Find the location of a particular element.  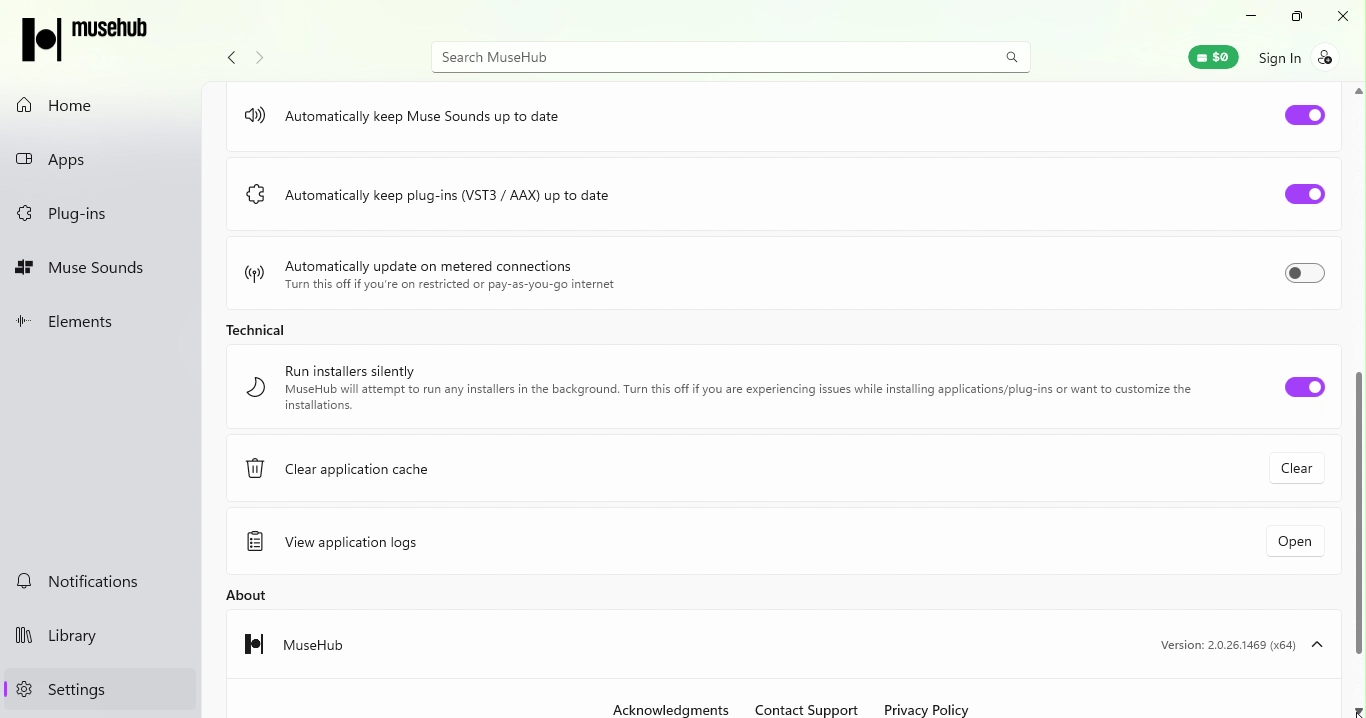

Navigate back is located at coordinates (227, 60).